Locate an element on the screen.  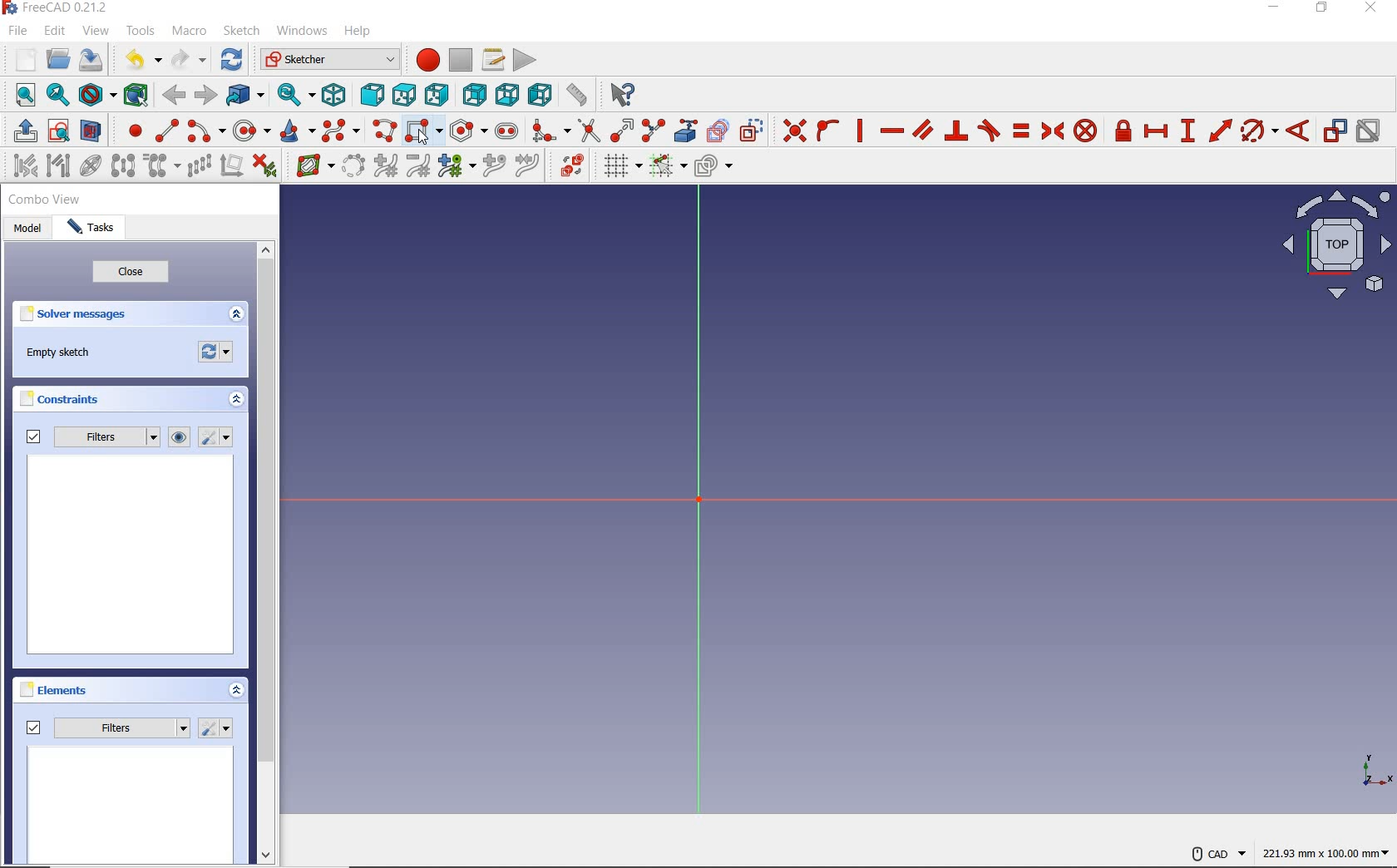
tools is located at coordinates (141, 32).